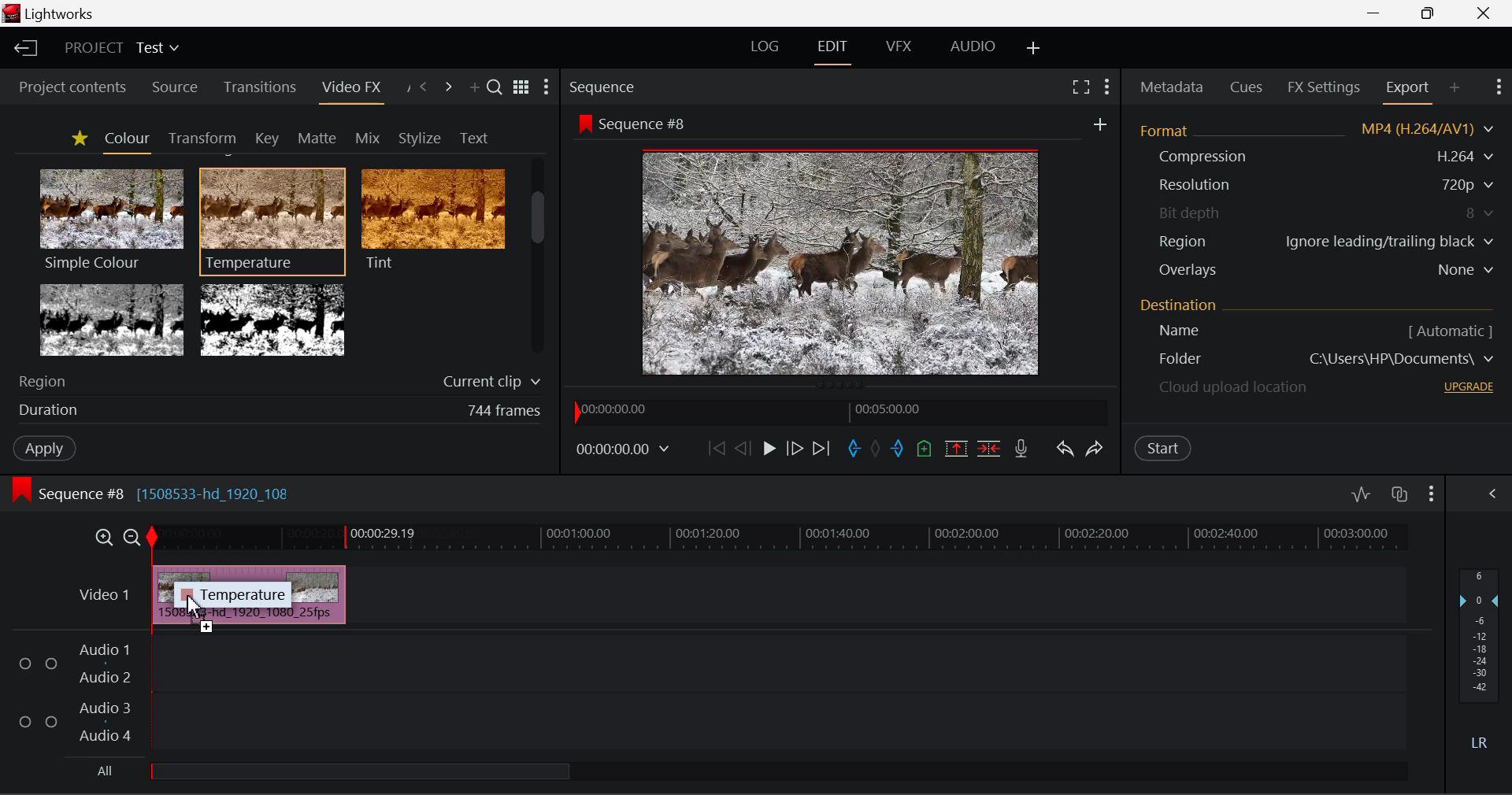 This screenshot has width=1512, height=795. What do you see at coordinates (102, 708) in the screenshot?
I see `Audio 3` at bounding box center [102, 708].